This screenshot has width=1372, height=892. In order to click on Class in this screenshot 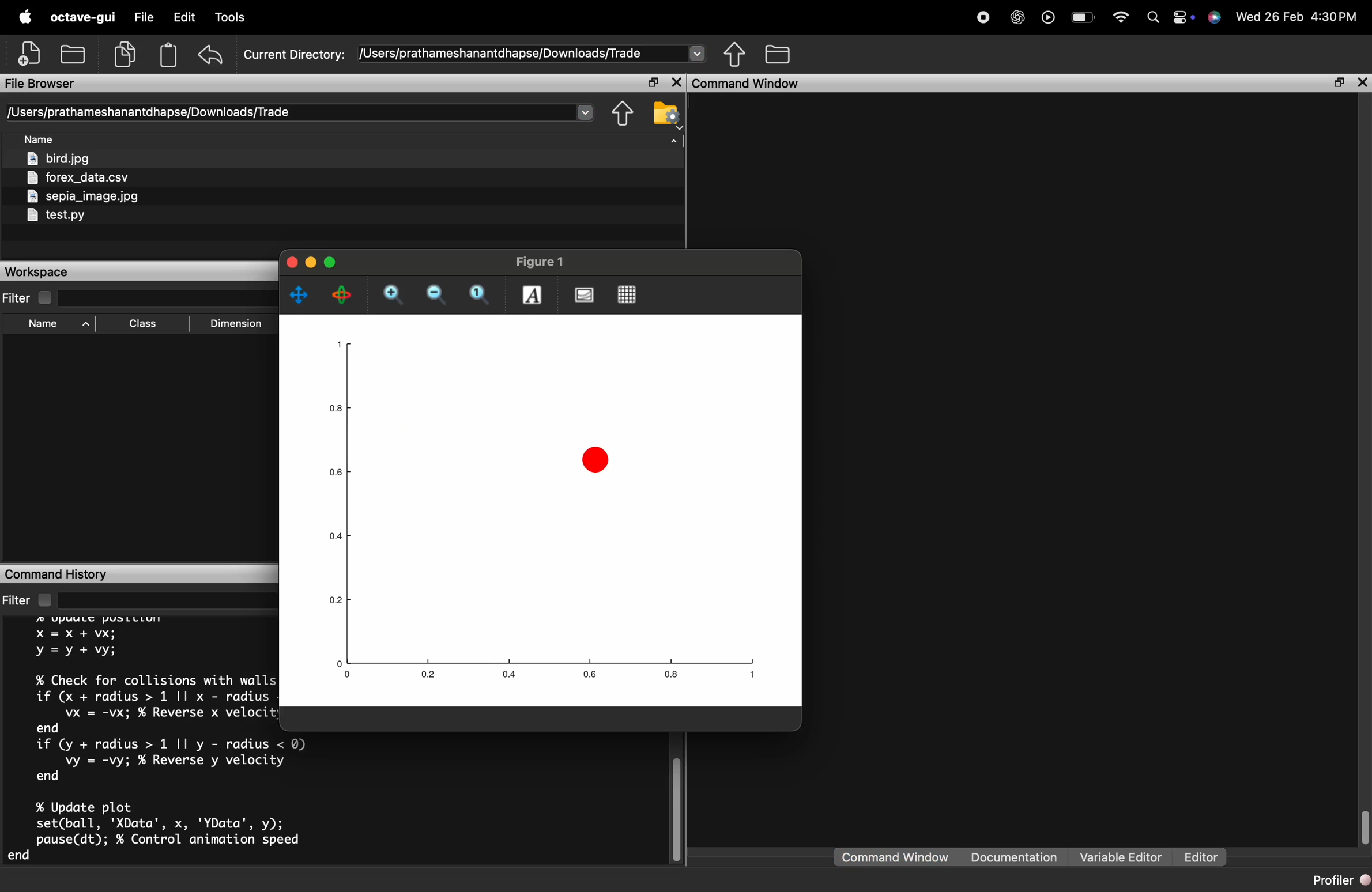, I will do `click(144, 324)`.